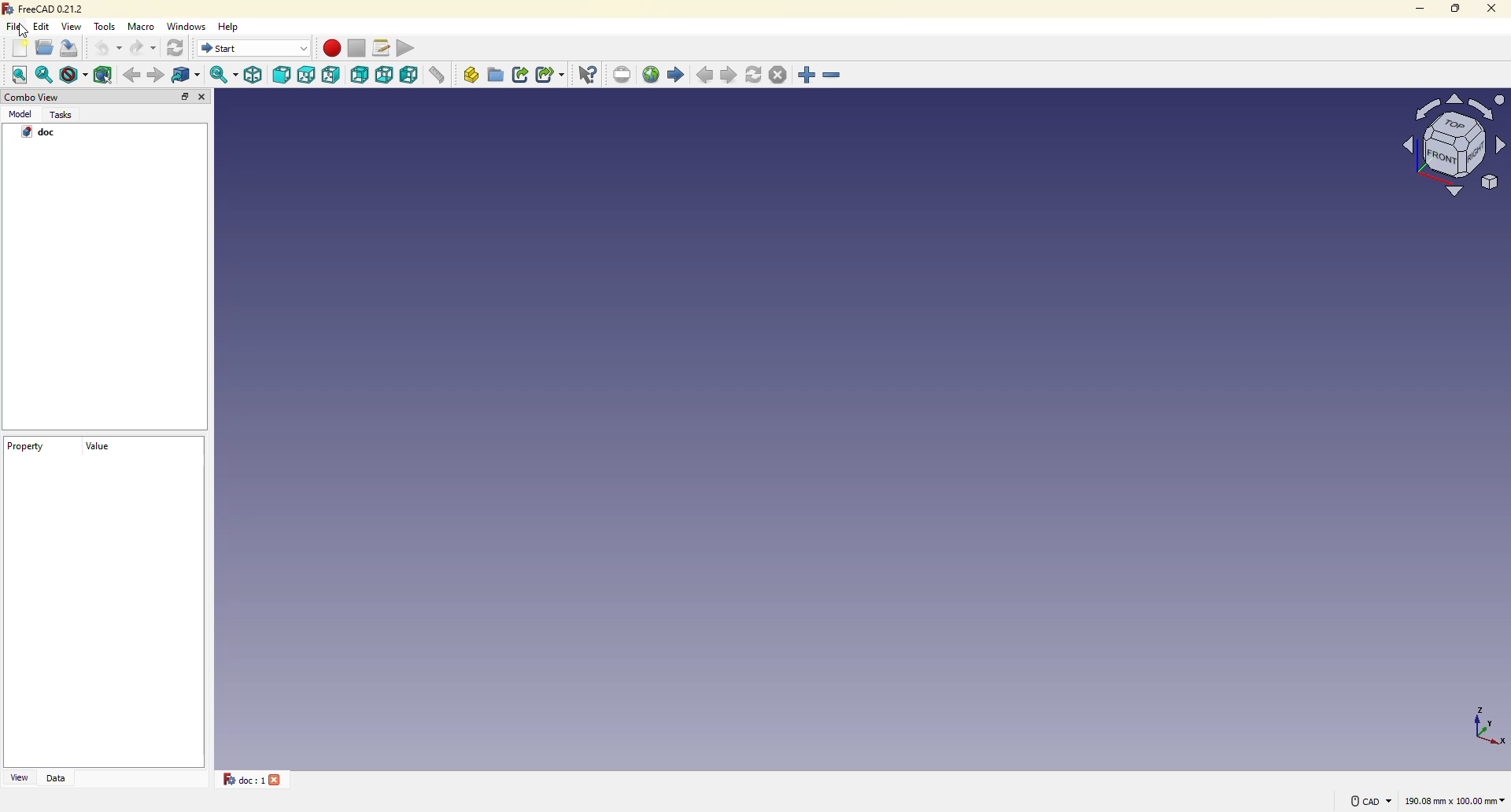 This screenshot has width=1511, height=812. Describe the element at coordinates (755, 74) in the screenshot. I see `refresh` at that location.